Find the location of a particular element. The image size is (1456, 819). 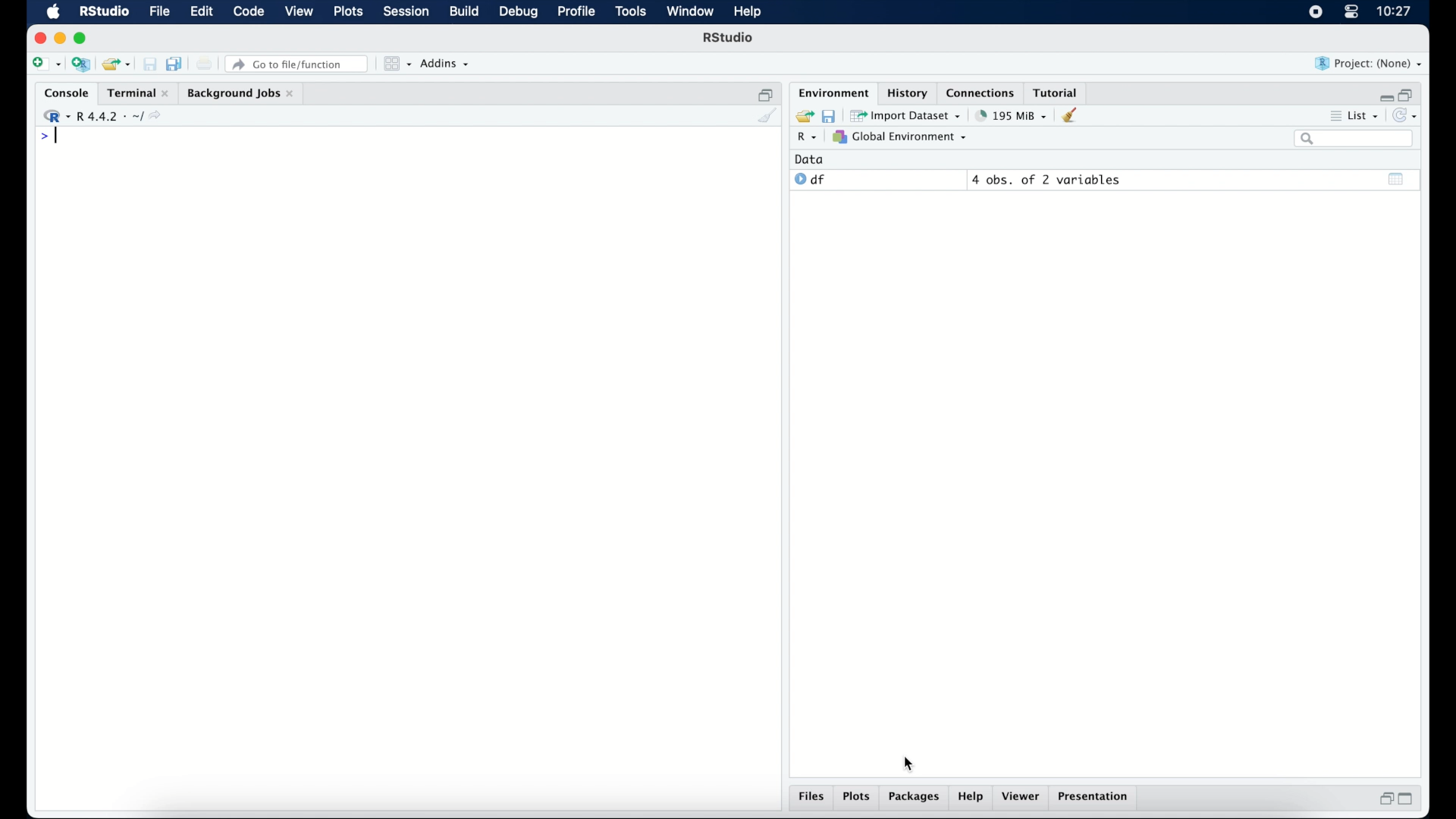

plots is located at coordinates (858, 798).